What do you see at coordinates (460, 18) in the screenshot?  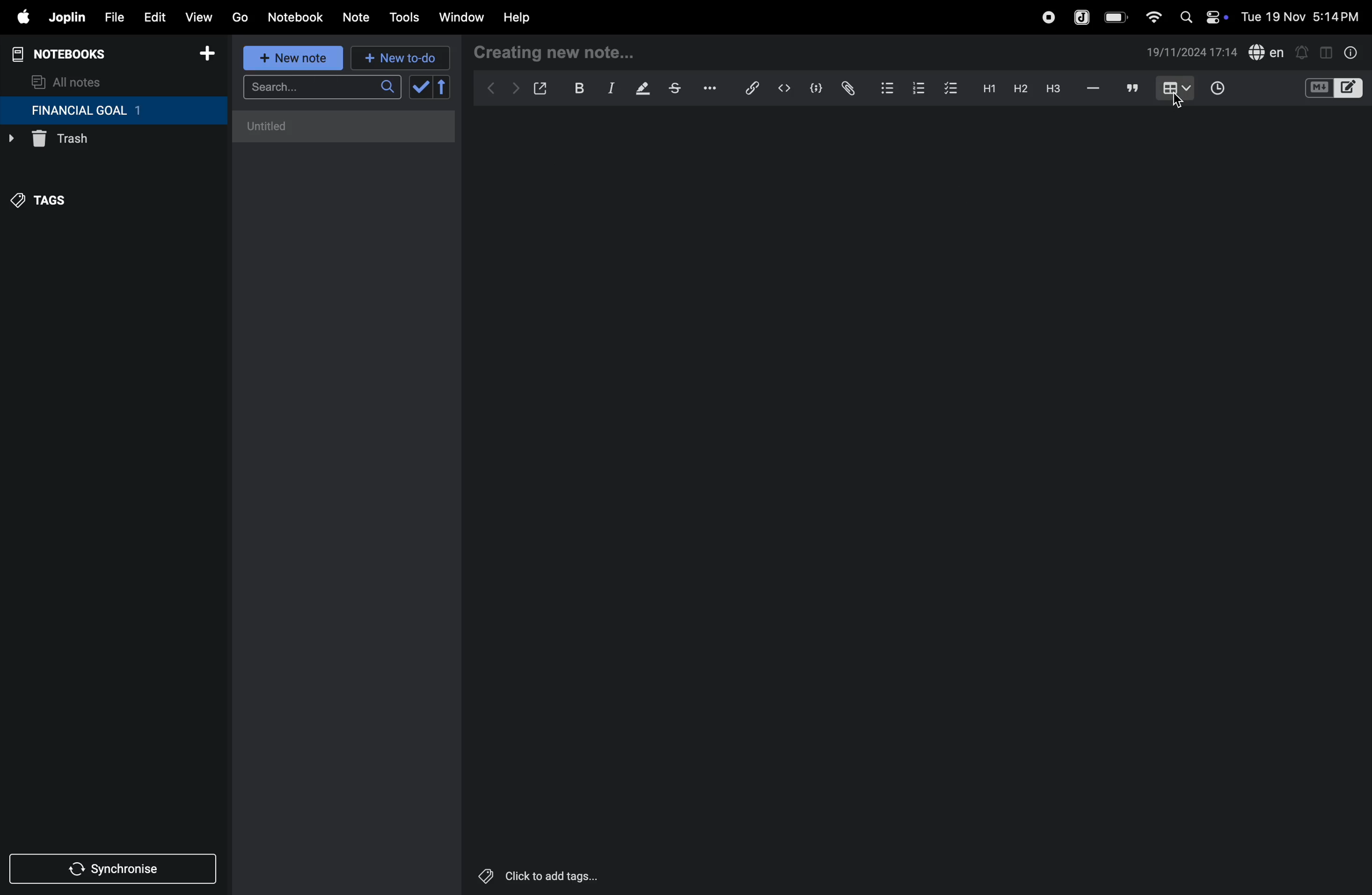 I see `window` at bounding box center [460, 18].